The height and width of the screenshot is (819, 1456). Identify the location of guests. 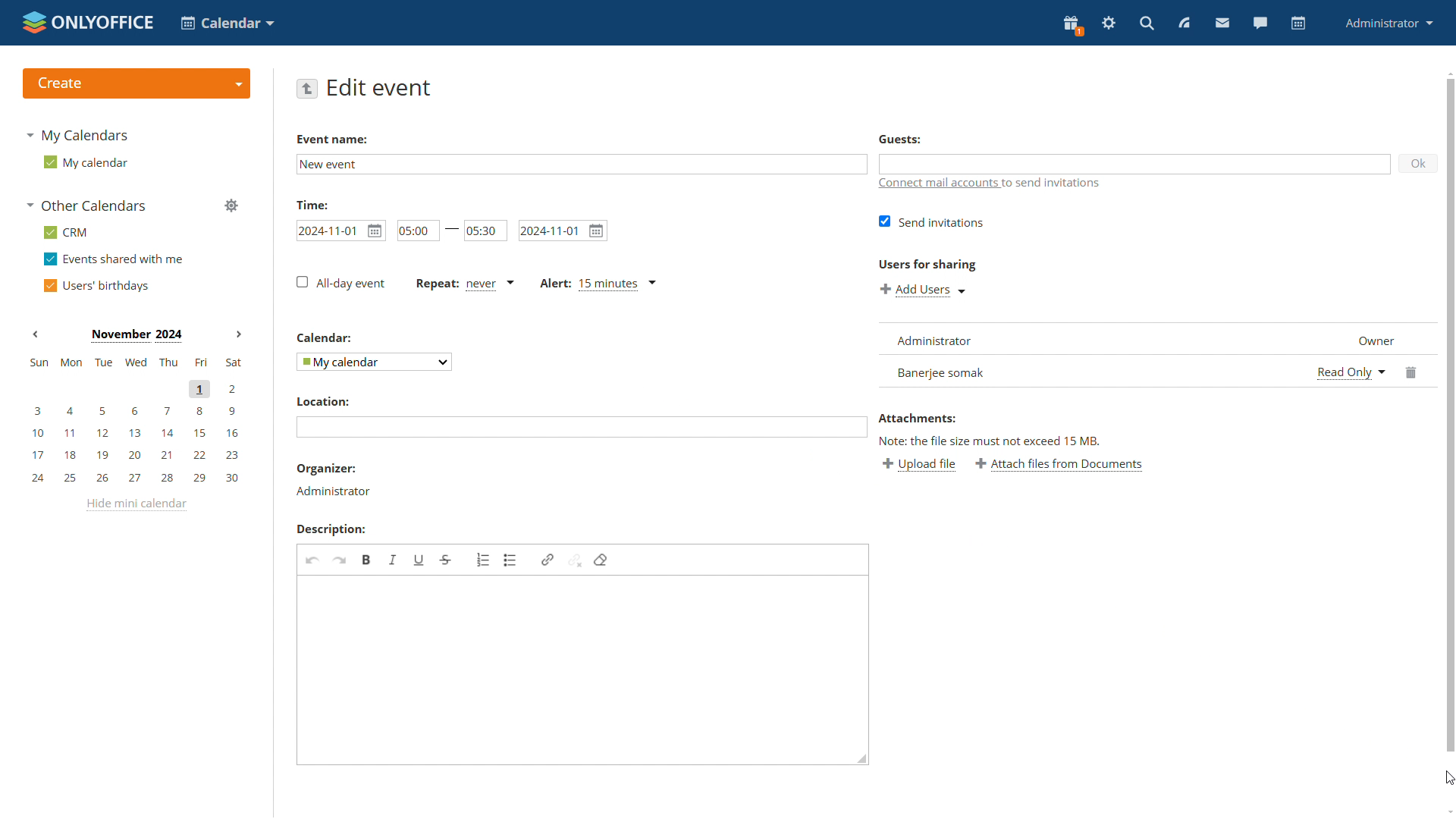
(901, 140).